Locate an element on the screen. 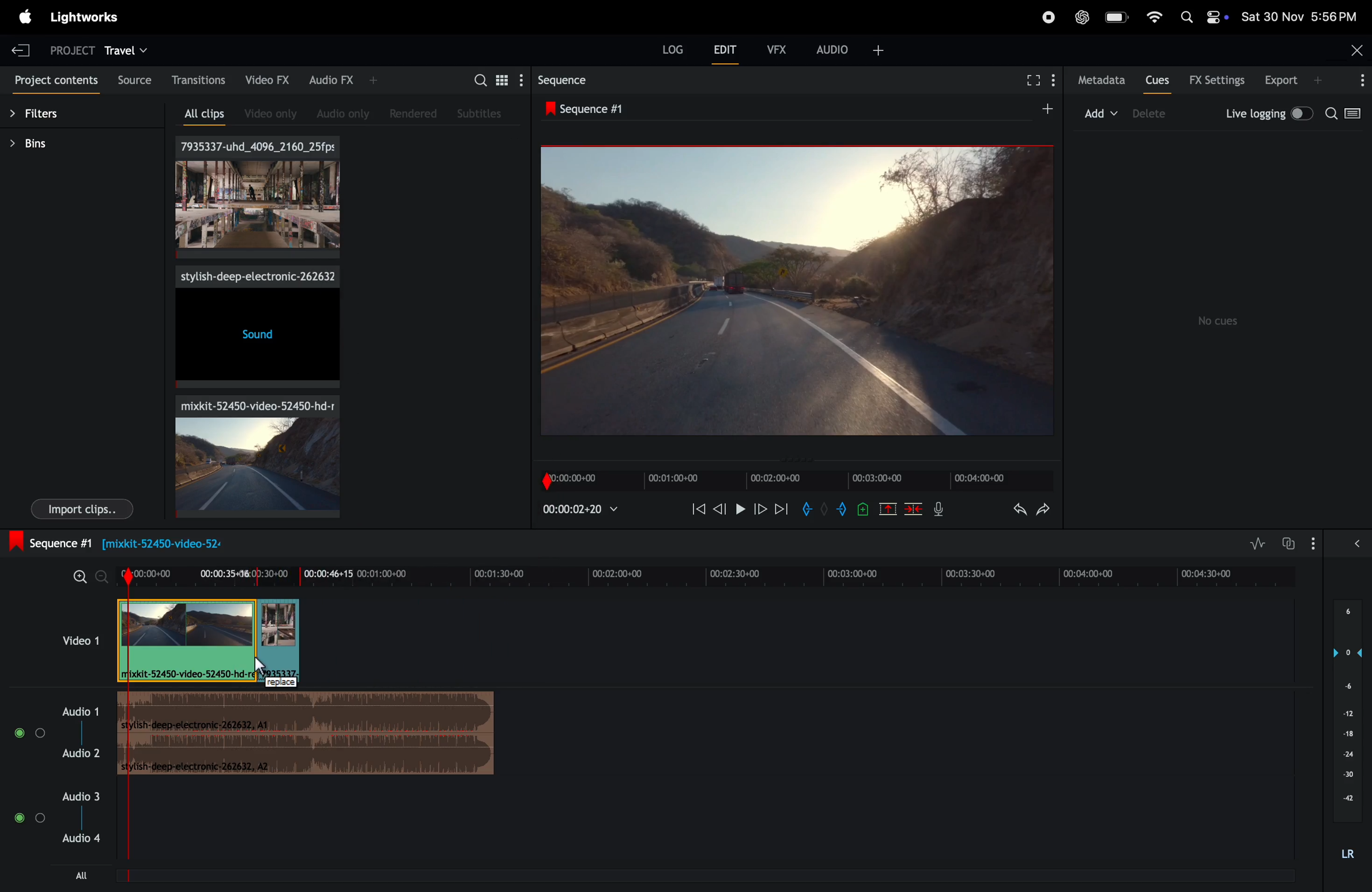 Image resolution: width=1372 pixels, height=892 pixels. add out  is located at coordinates (839, 511).